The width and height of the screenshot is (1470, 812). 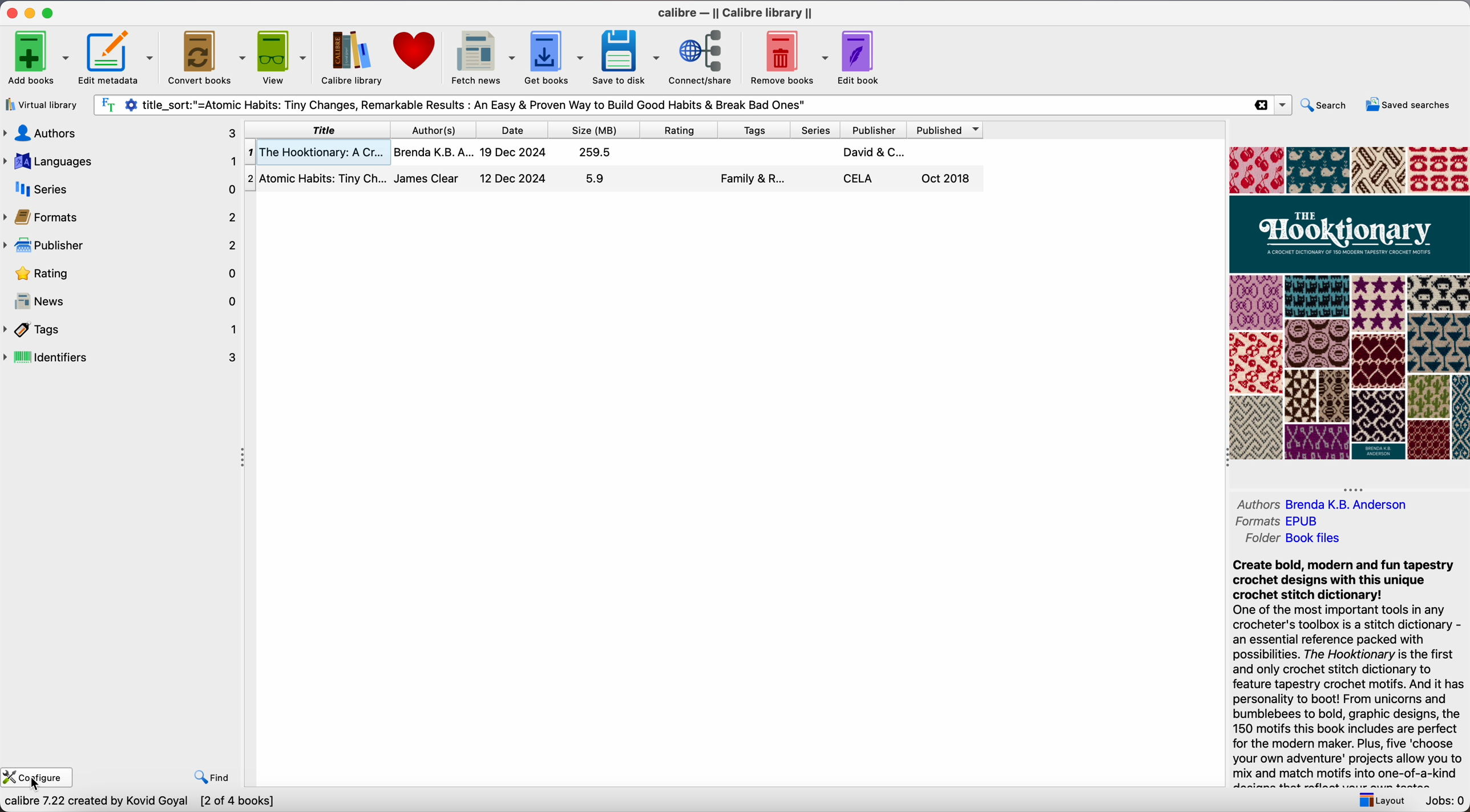 I want to click on Authors, so click(x=1257, y=504).